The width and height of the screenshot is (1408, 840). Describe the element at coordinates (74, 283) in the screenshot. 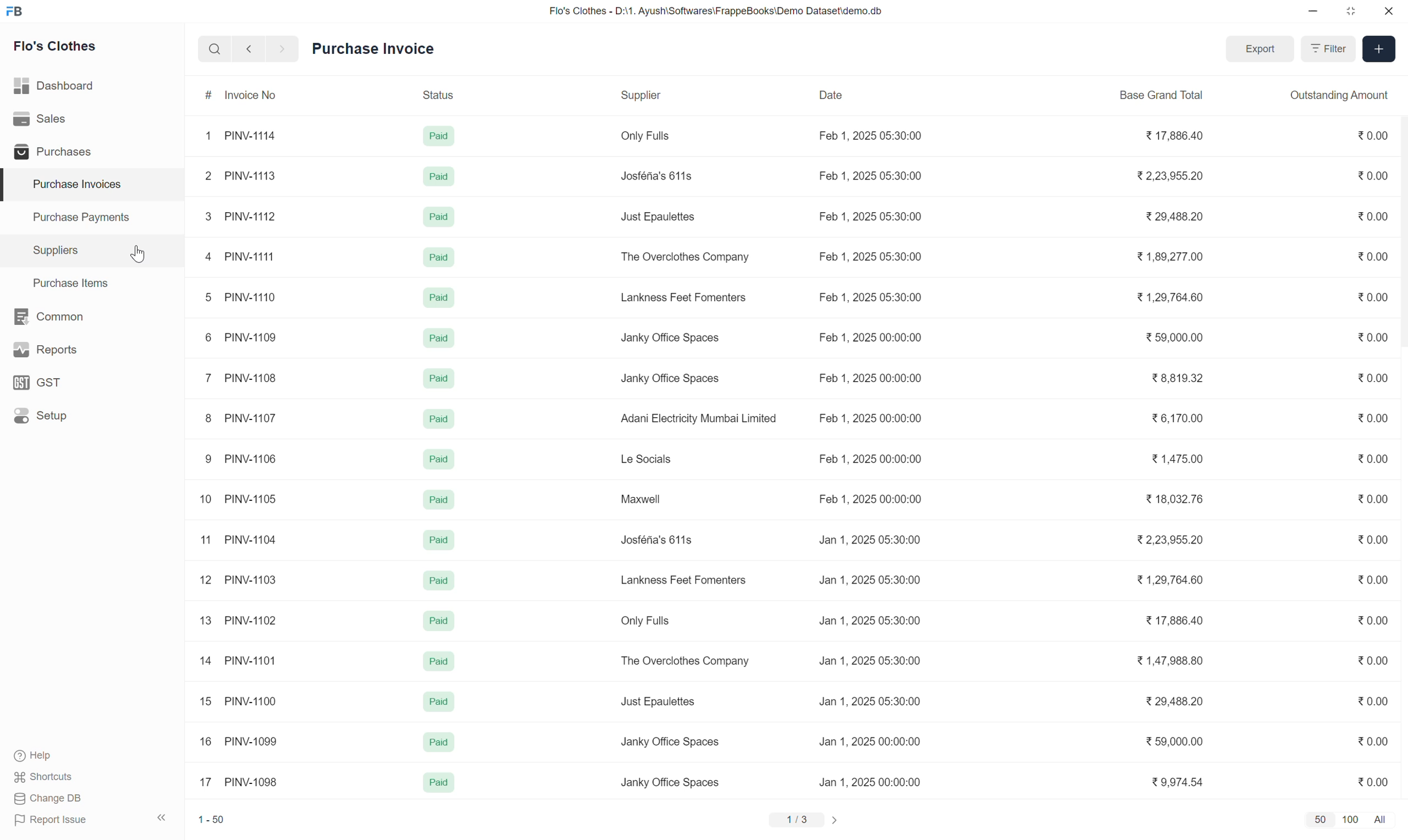

I see `Purchase Items` at that location.